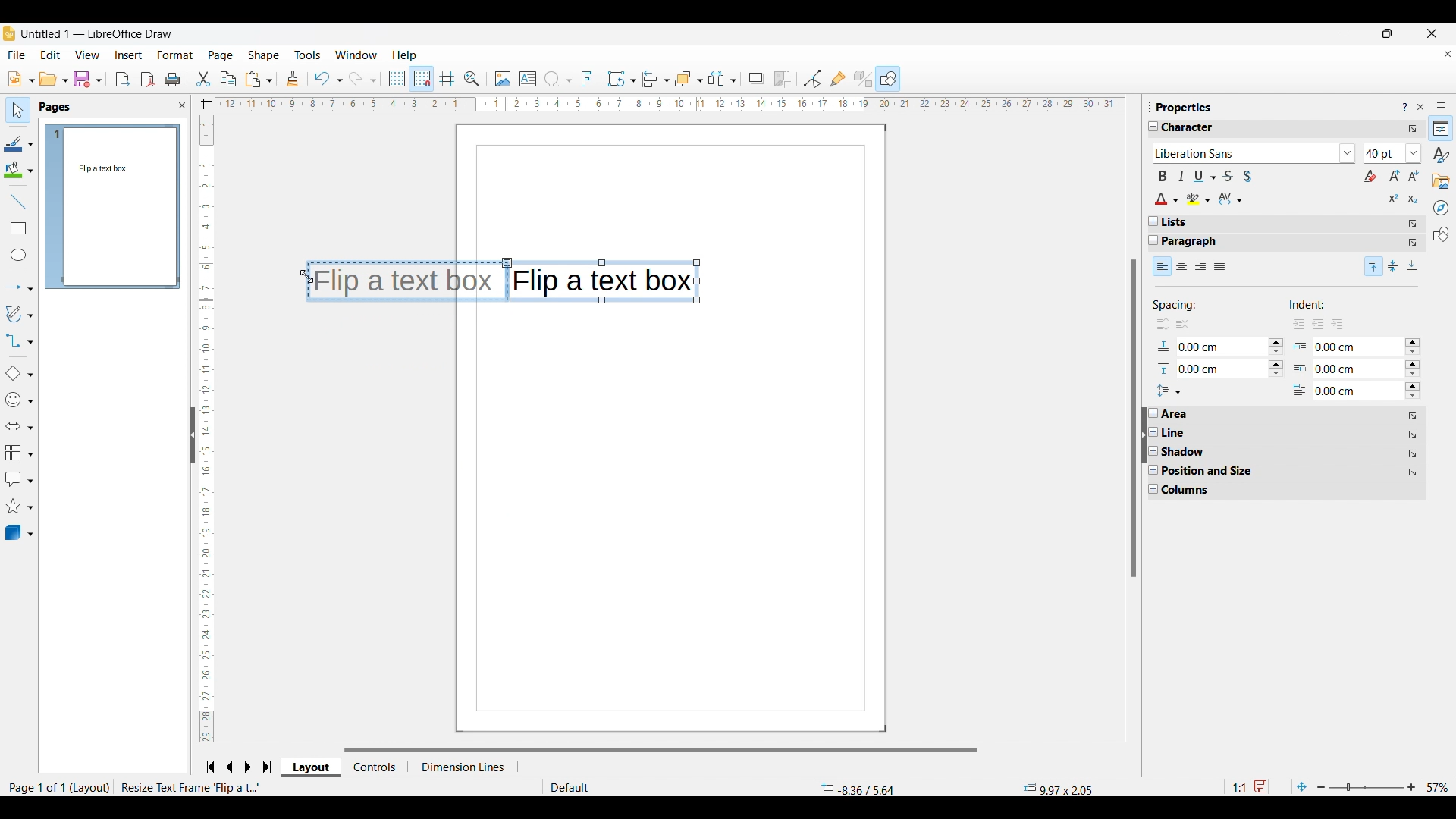  Describe the element at coordinates (1384, 155) in the screenshot. I see `Type in character sizes` at that location.